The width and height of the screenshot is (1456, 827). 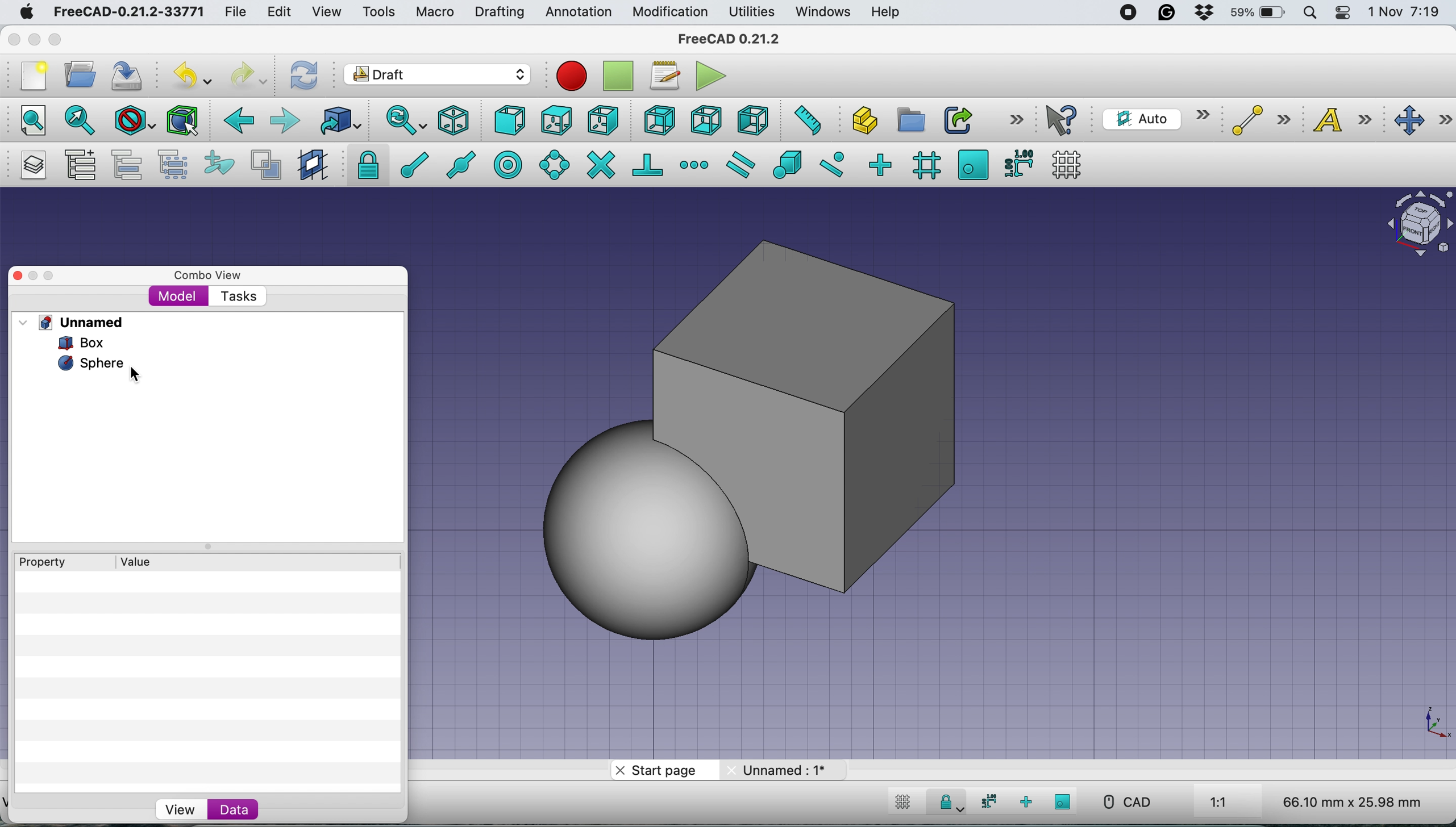 I want to click on cursor, so click(x=140, y=374).